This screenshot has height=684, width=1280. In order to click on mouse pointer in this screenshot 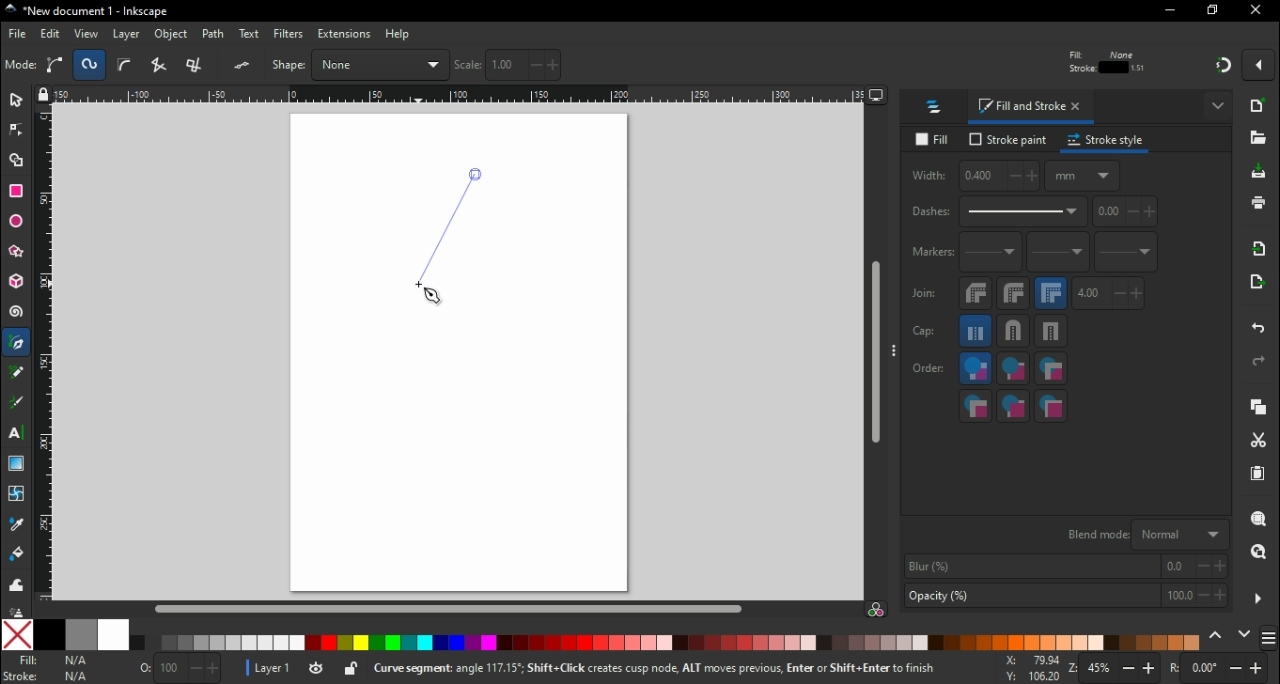, I will do `click(434, 297)`.